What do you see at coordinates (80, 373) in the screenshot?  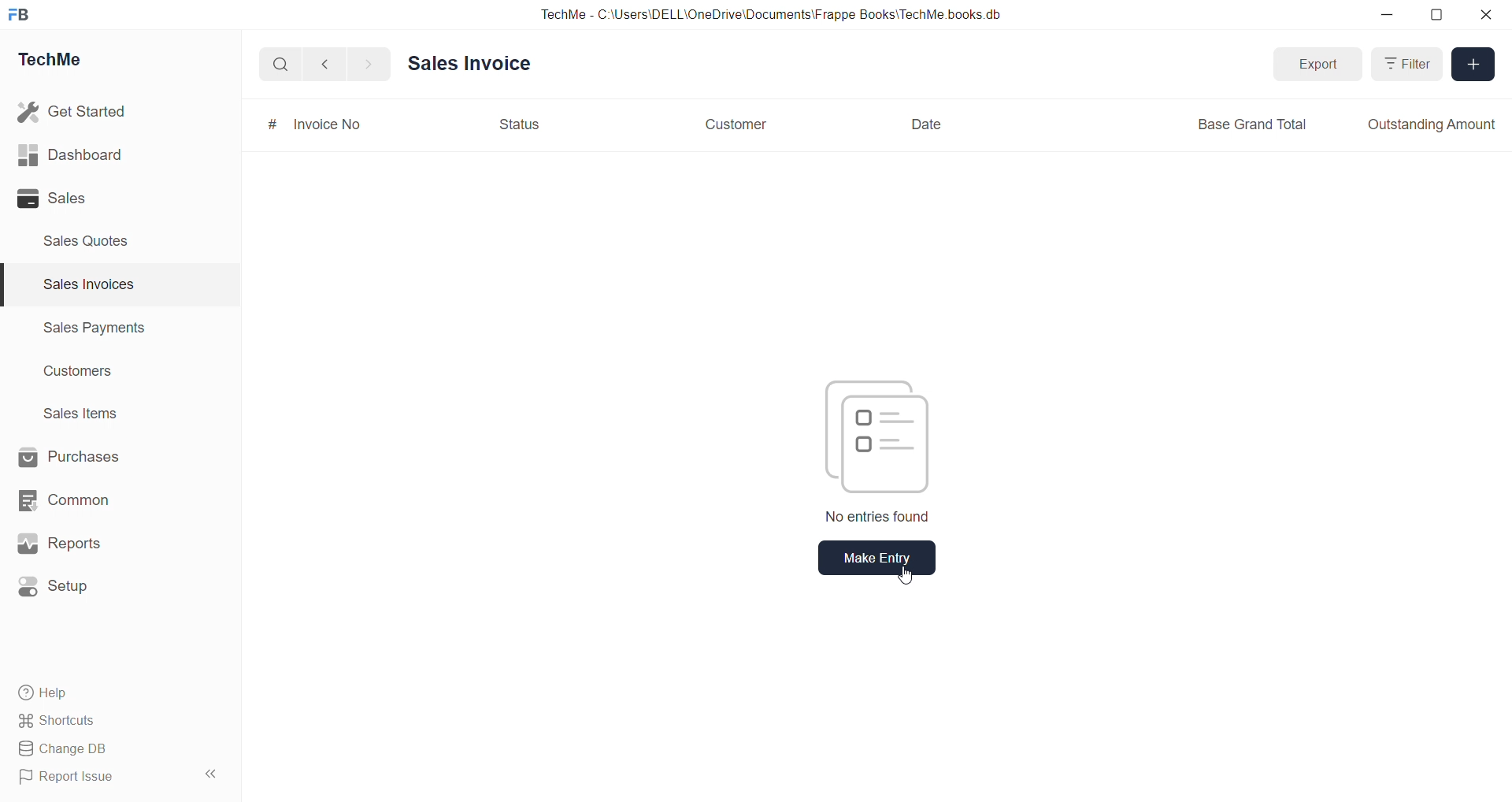 I see `Customers` at bounding box center [80, 373].